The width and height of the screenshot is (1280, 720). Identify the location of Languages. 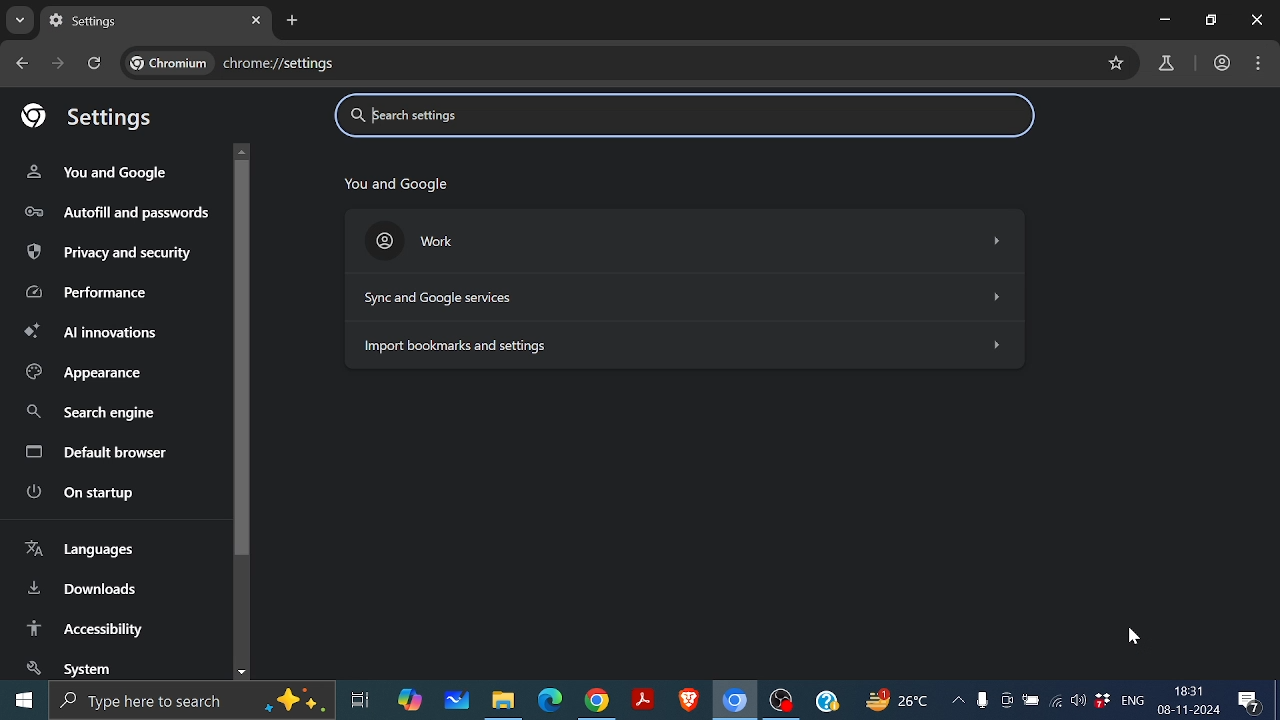
(81, 549).